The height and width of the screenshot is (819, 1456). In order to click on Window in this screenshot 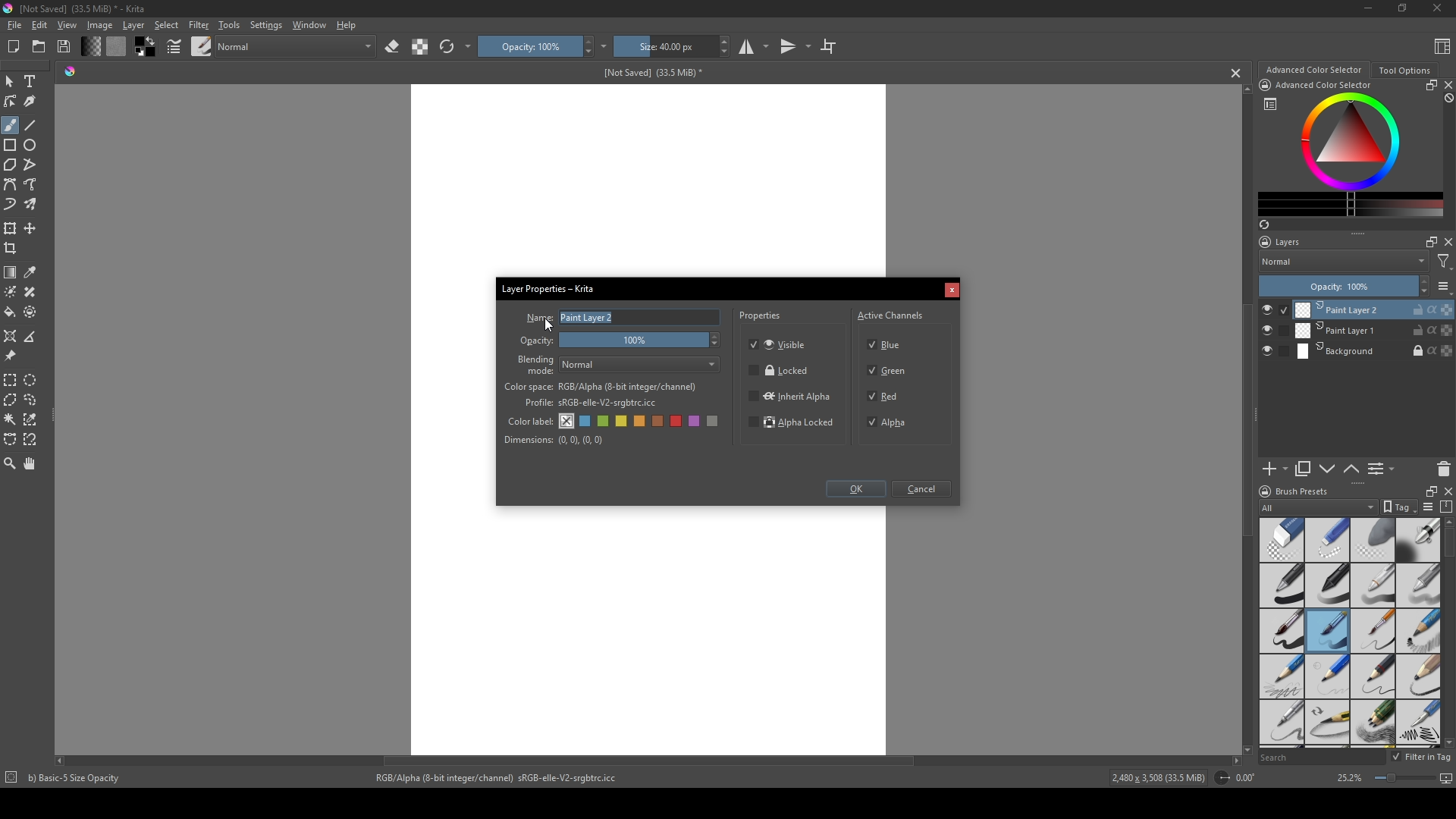, I will do `click(307, 24)`.